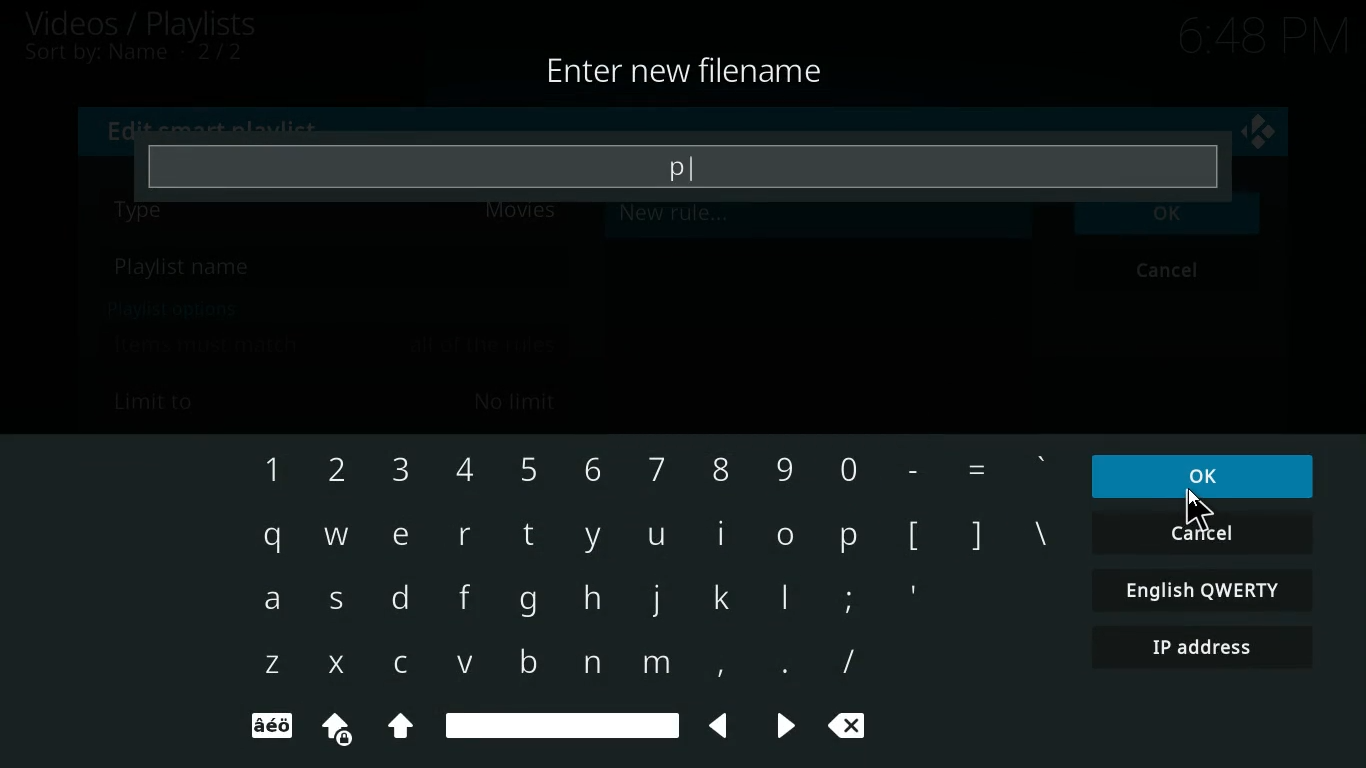 The height and width of the screenshot is (768, 1366). I want to click on ', so click(912, 597).